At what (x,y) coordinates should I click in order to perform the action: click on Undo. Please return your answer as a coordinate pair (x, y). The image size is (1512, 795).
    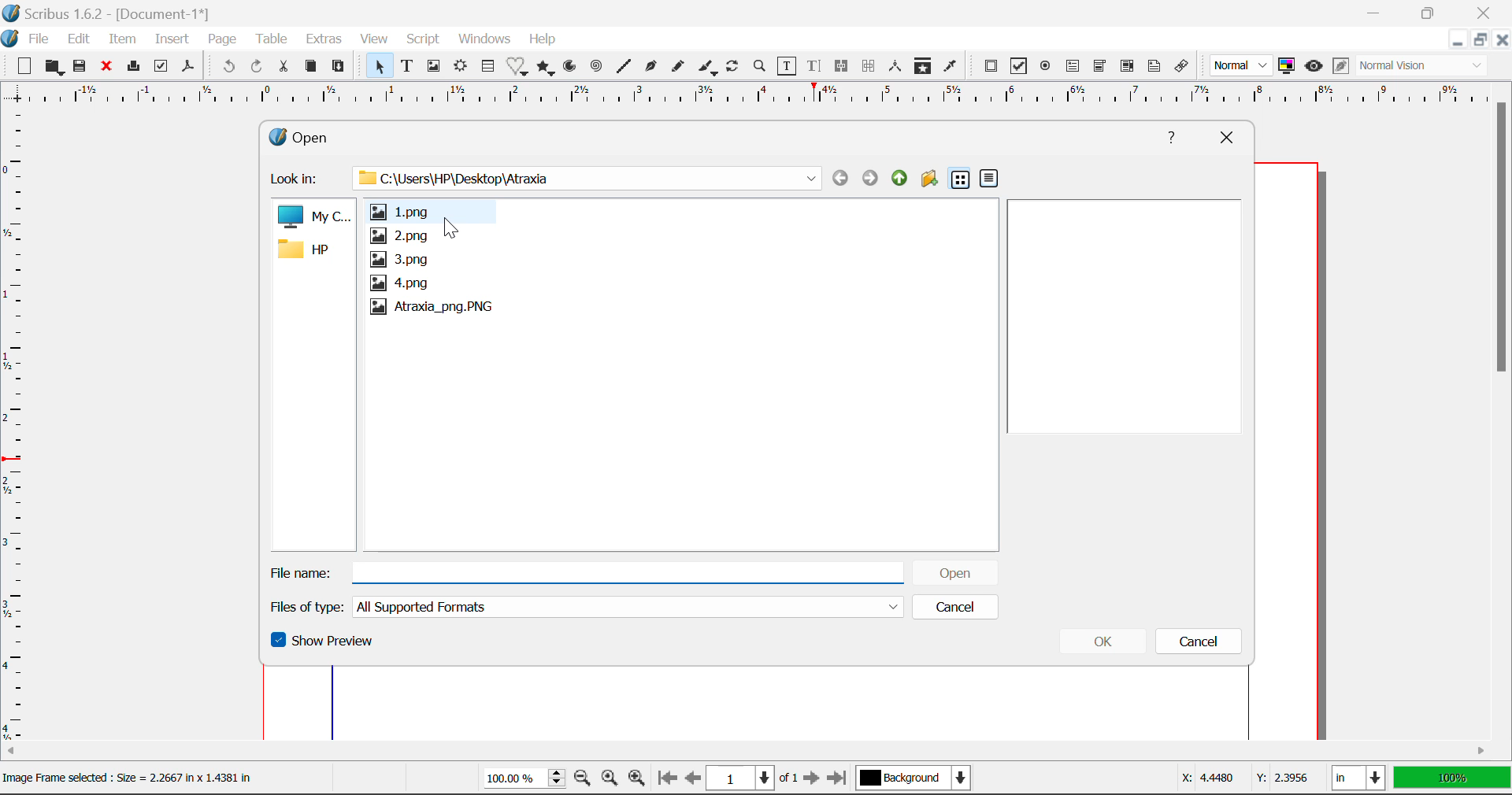
    Looking at the image, I should click on (226, 67).